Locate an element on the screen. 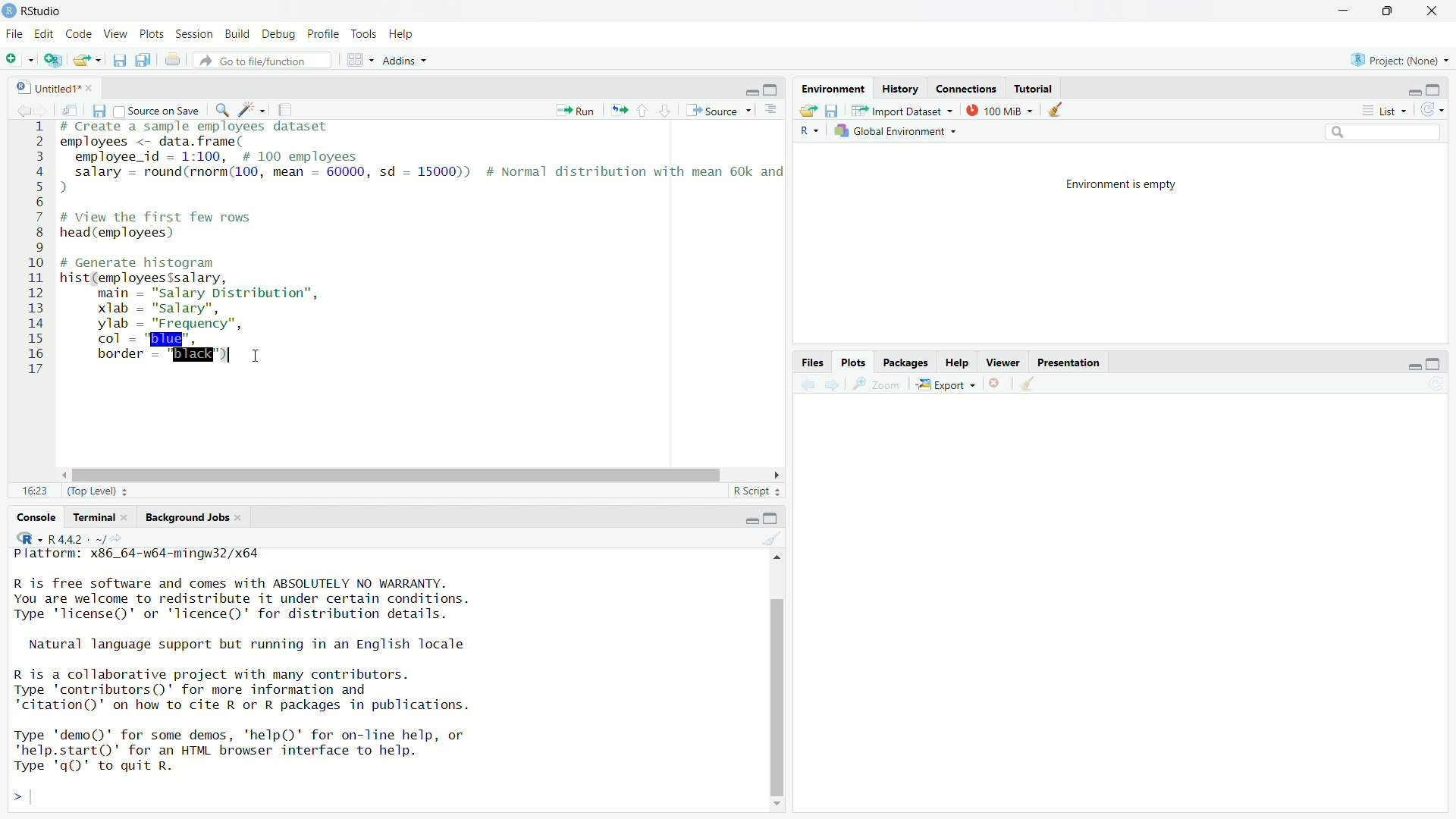 The height and width of the screenshot is (819, 1456). save is located at coordinates (120, 60).